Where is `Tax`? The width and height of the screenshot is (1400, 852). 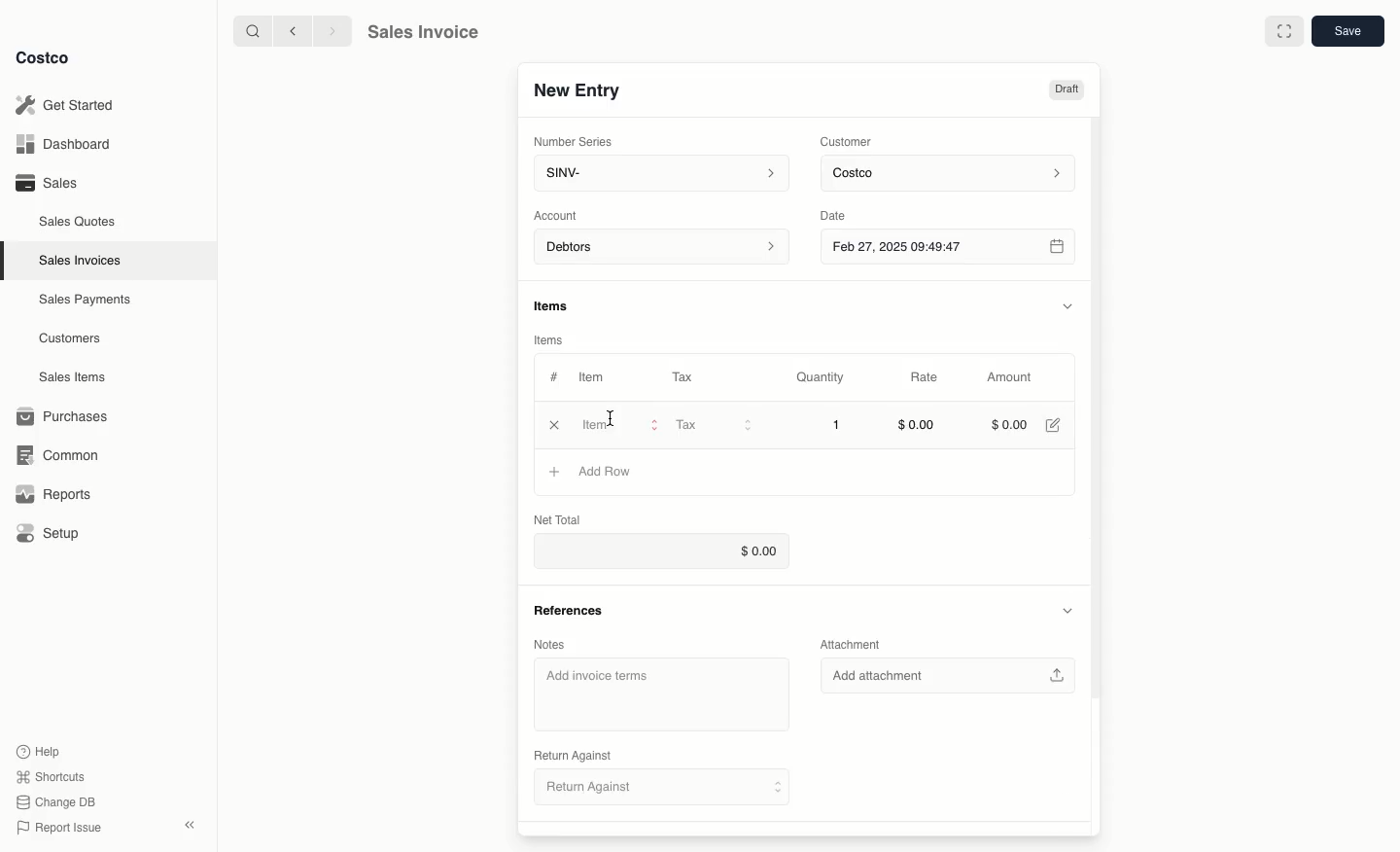
Tax is located at coordinates (713, 425).